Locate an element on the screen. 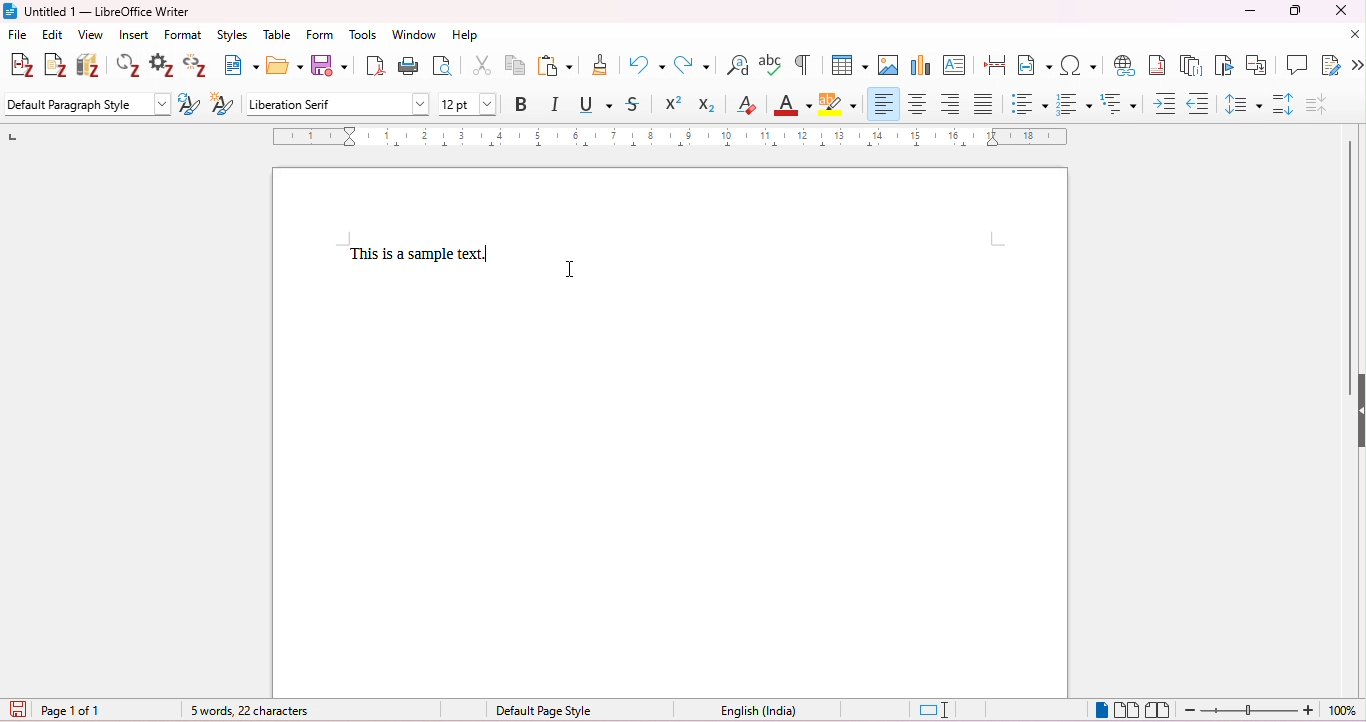 Image resolution: width=1366 pixels, height=722 pixels. insert bookmarks is located at coordinates (1224, 64).